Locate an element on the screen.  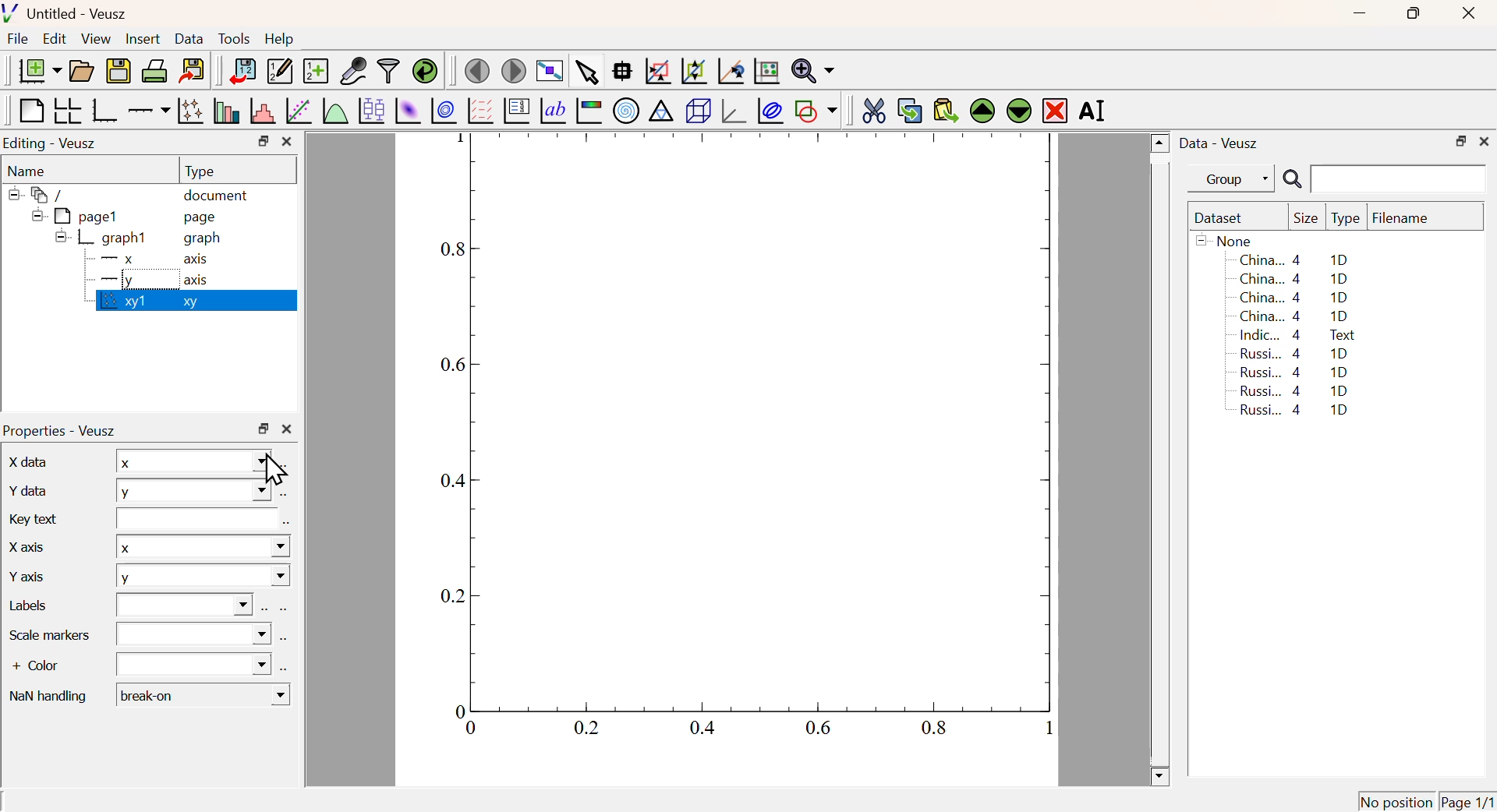
3D Scene is located at coordinates (698, 111).